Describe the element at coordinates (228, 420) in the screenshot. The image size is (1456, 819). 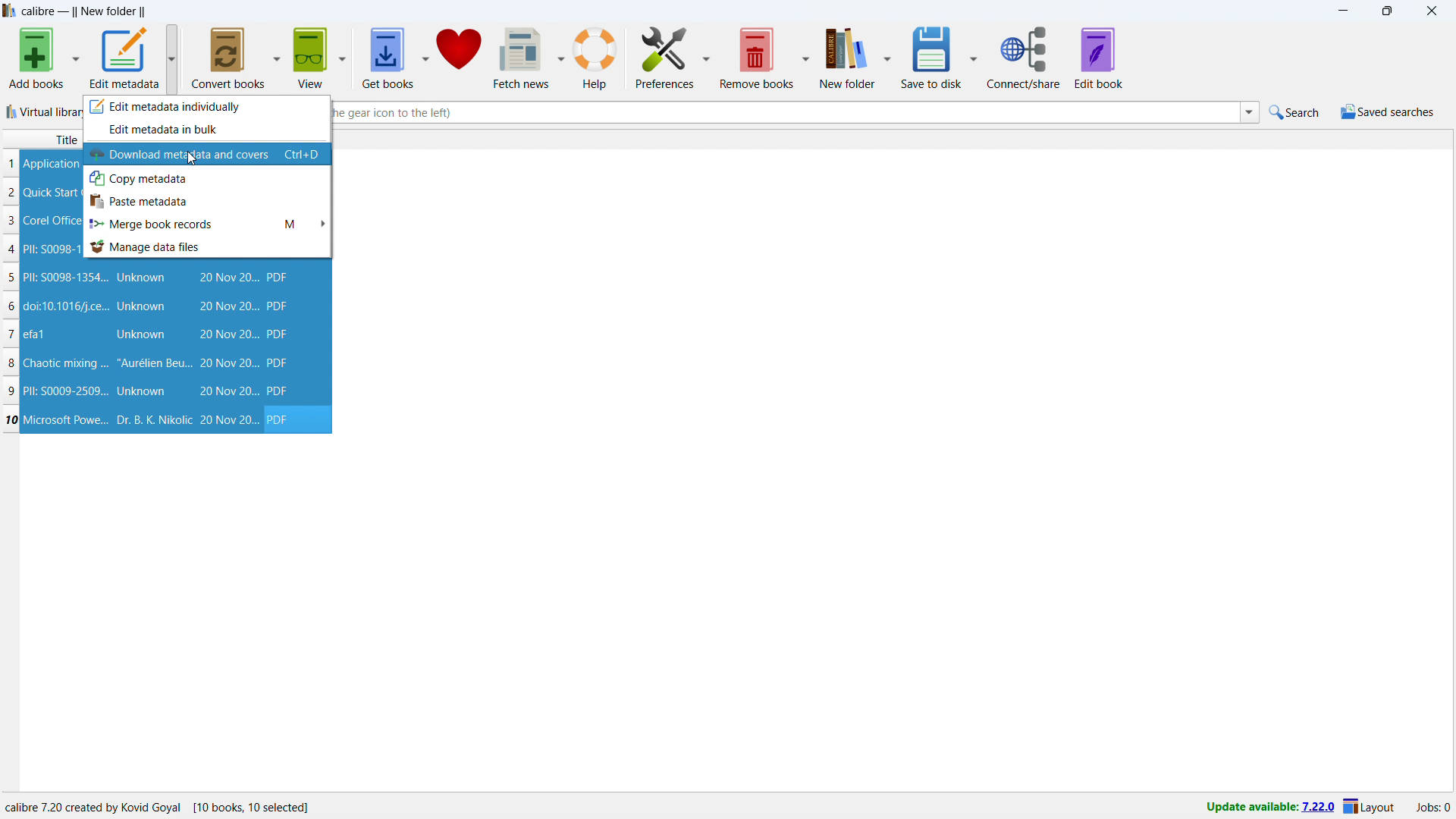
I see `20 Nov 20...` at that location.